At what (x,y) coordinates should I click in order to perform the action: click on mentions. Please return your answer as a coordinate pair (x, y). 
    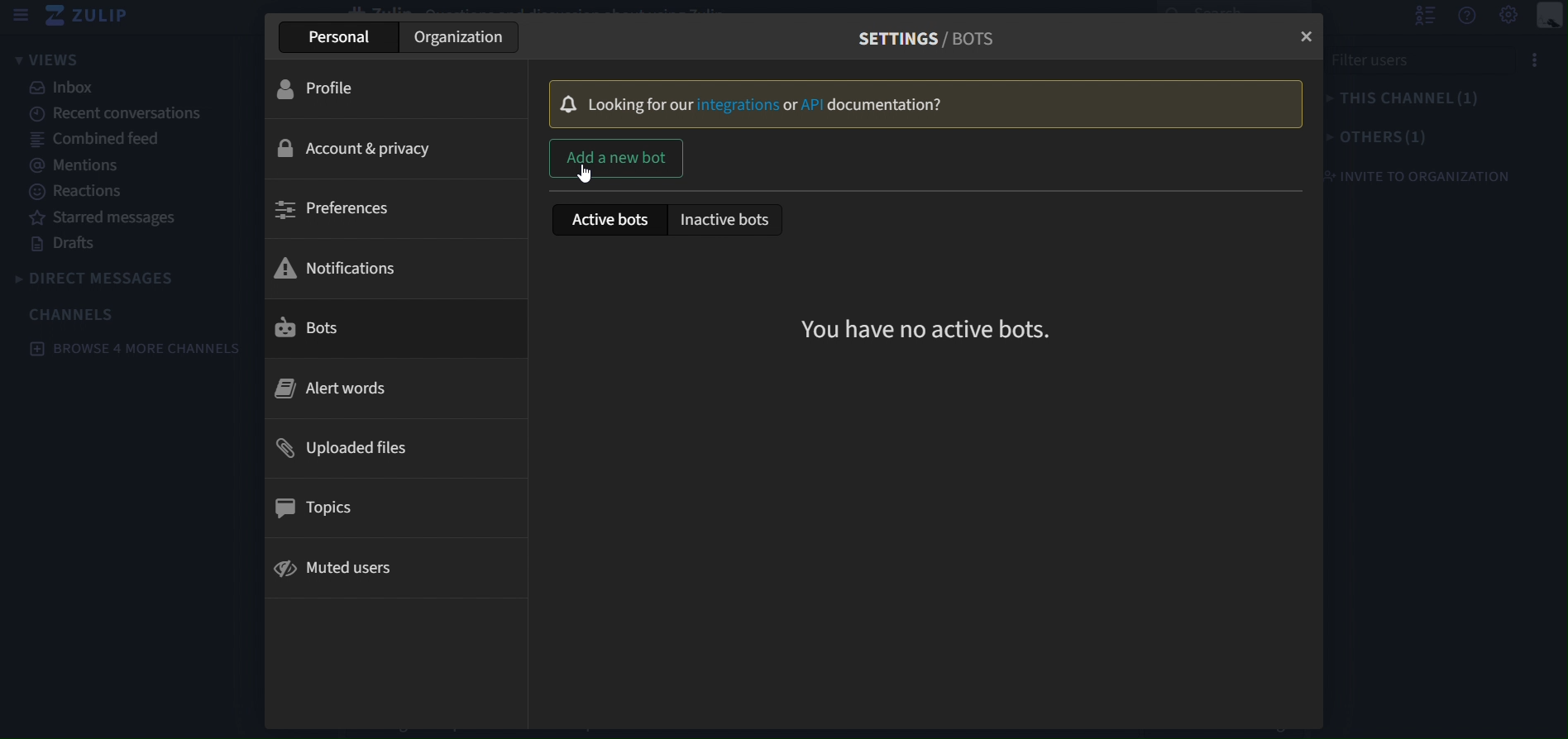
    Looking at the image, I should click on (123, 163).